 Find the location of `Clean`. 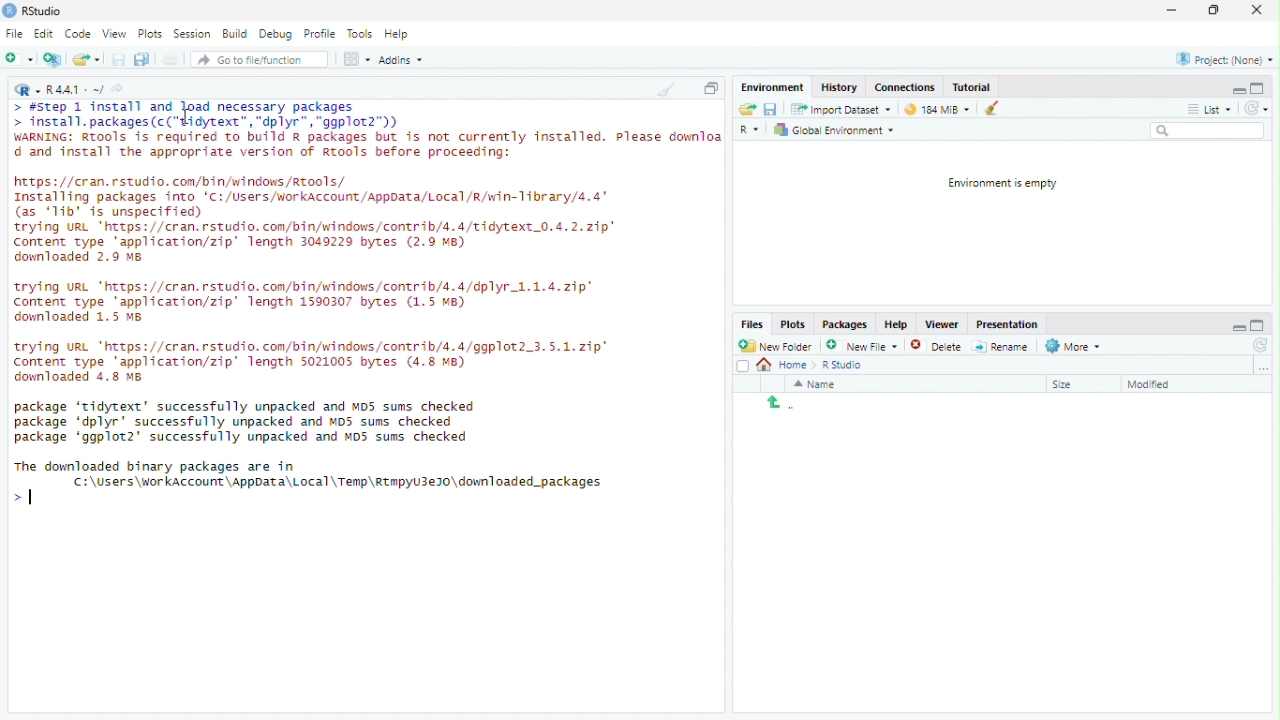

Clean is located at coordinates (665, 88).